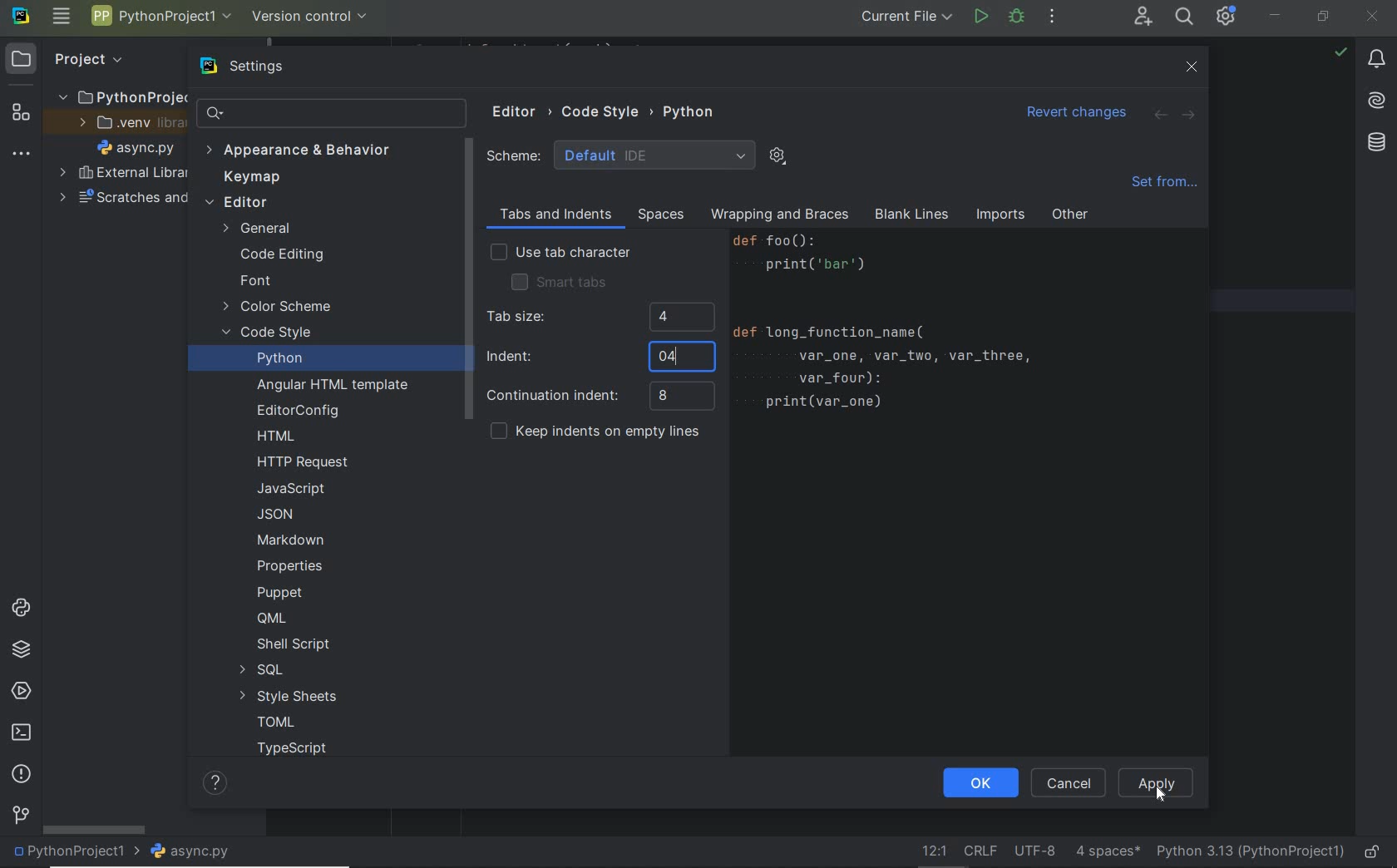 The width and height of the screenshot is (1397, 868). I want to click on more actions, so click(1052, 17).